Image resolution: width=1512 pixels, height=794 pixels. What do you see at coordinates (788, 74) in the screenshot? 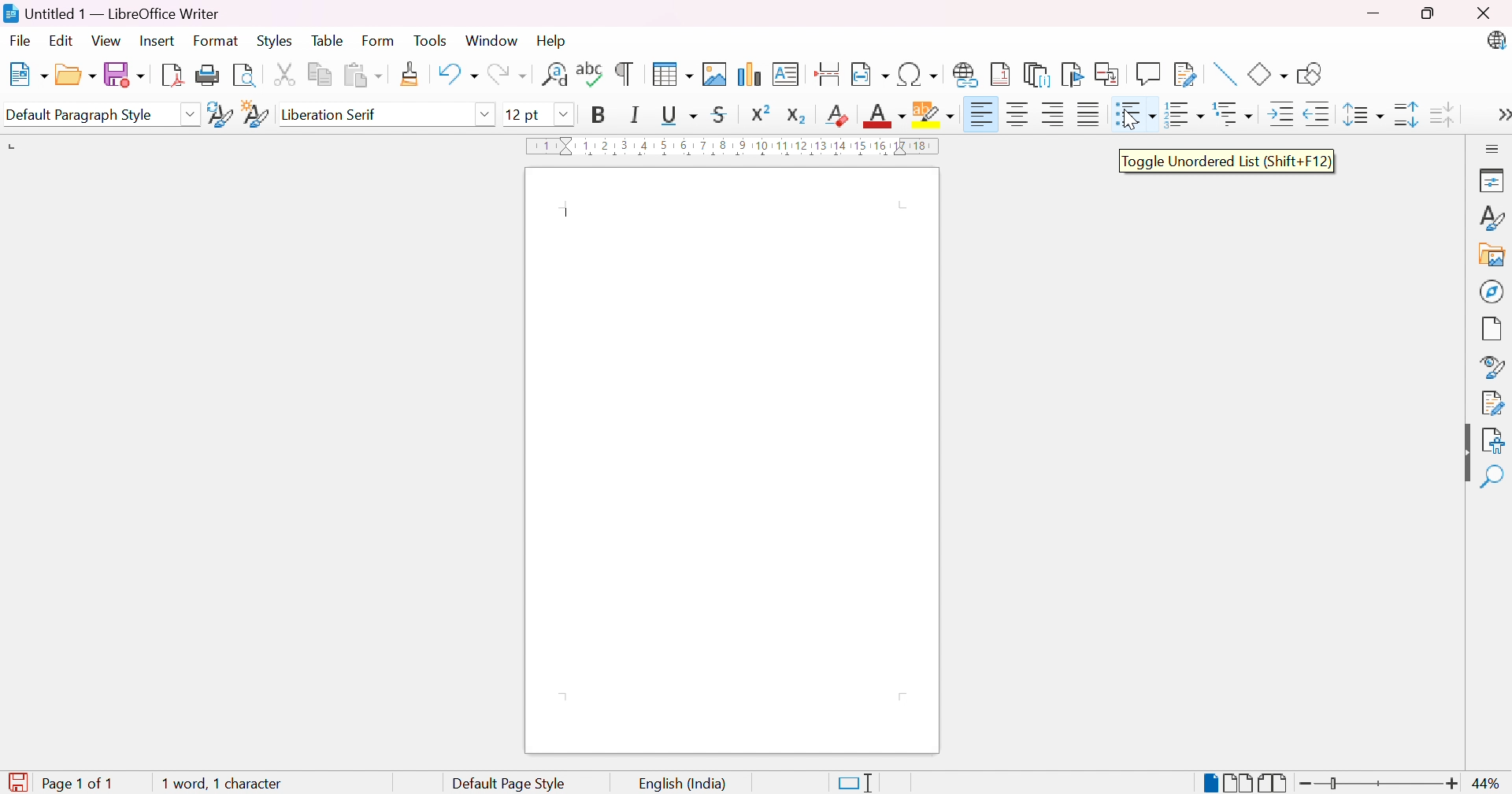
I see `Insert text box` at bounding box center [788, 74].